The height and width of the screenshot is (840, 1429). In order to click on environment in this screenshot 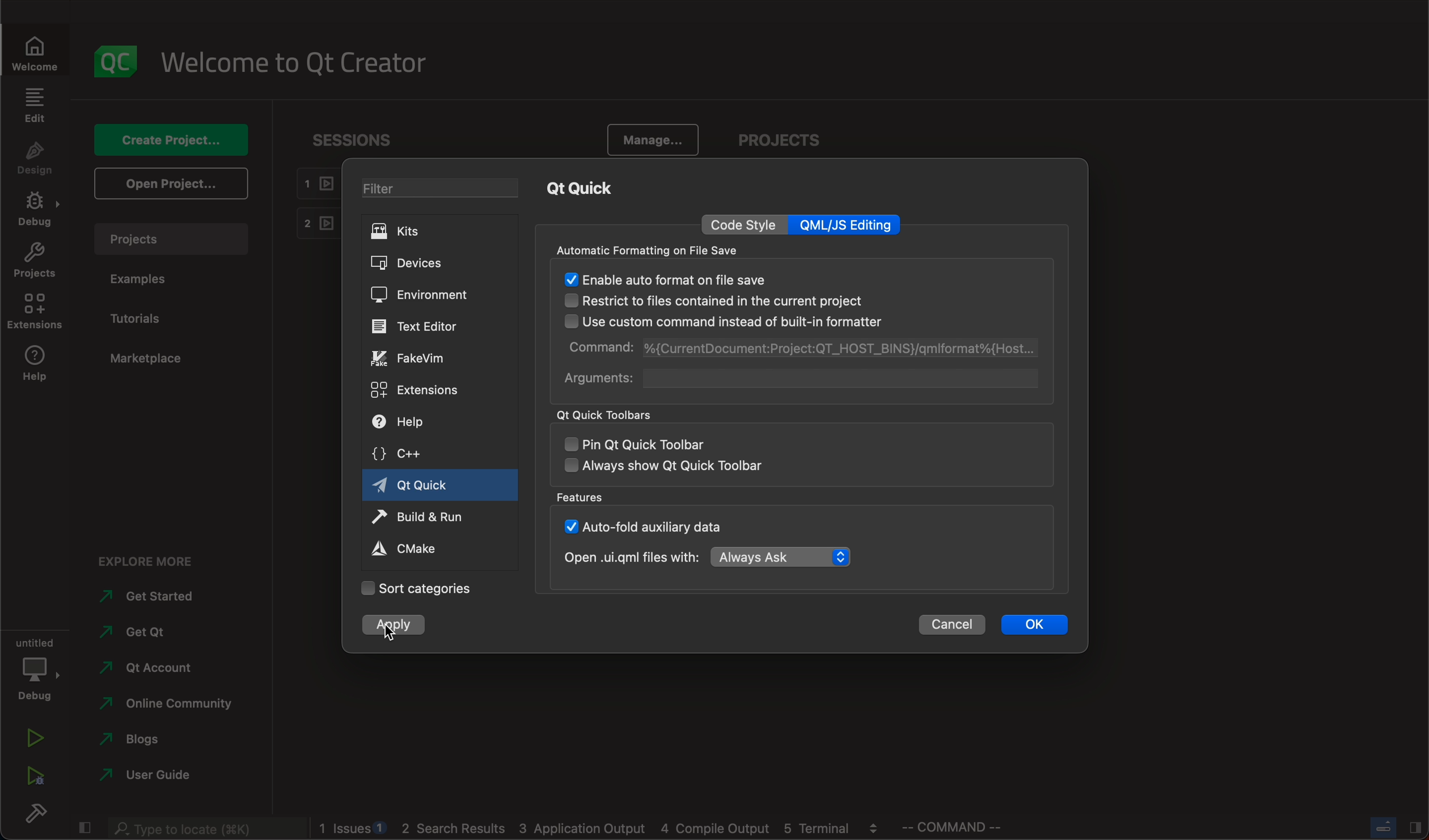, I will do `click(434, 299)`.